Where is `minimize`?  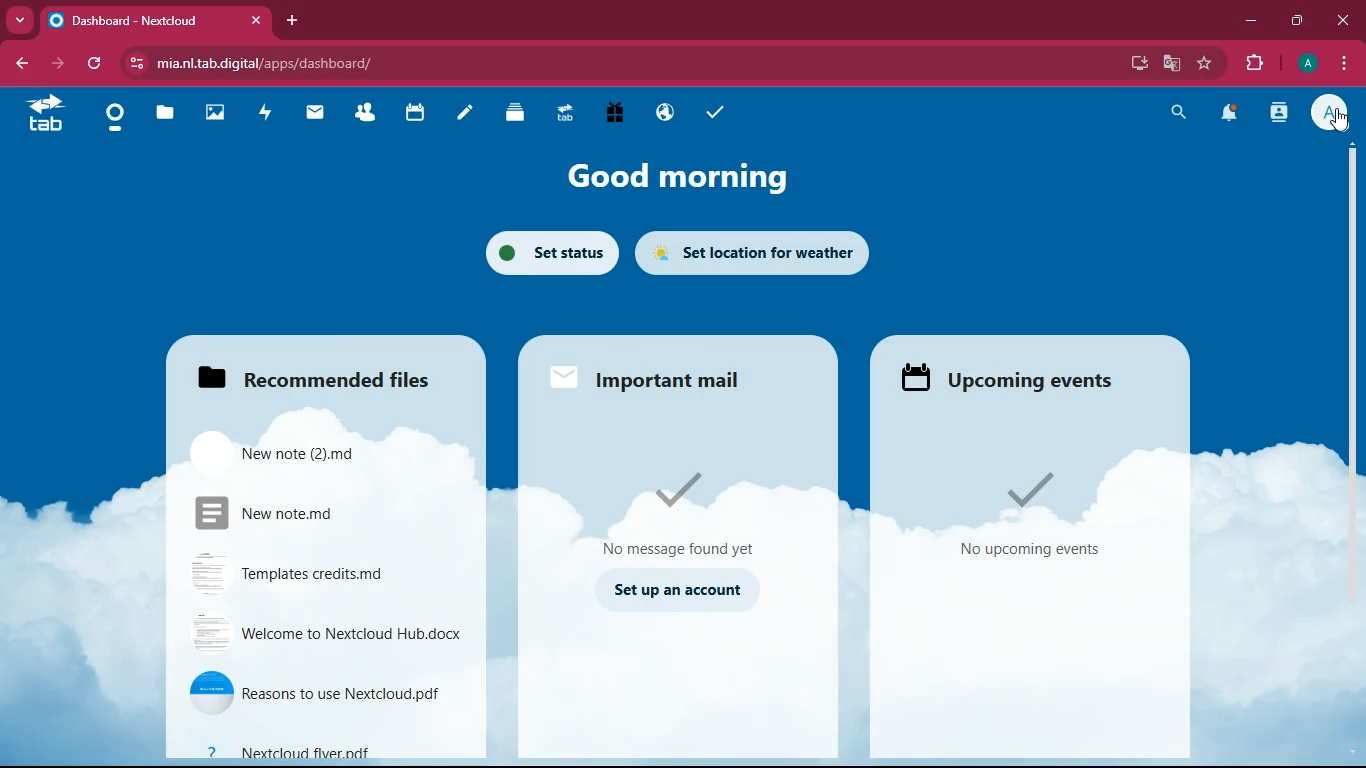
minimize is located at coordinates (1248, 20).